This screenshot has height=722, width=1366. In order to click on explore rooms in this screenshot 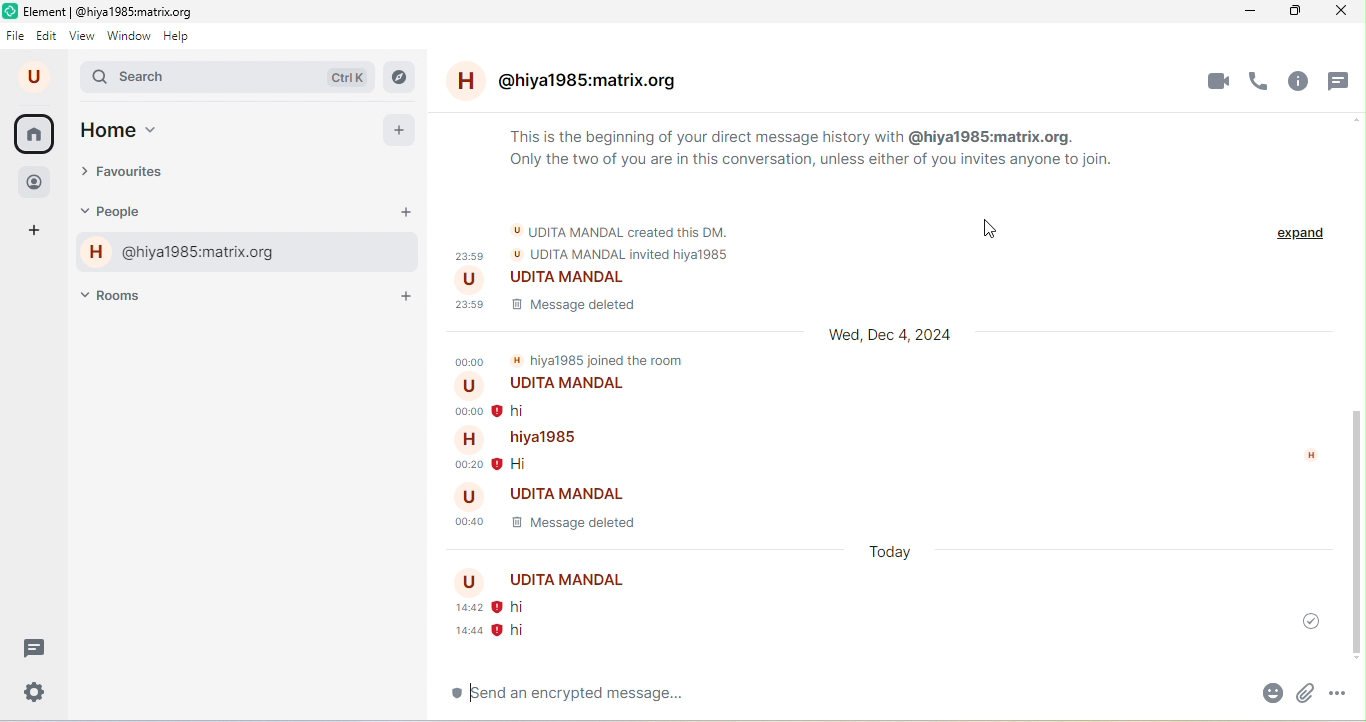, I will do `click(400, 77)`.